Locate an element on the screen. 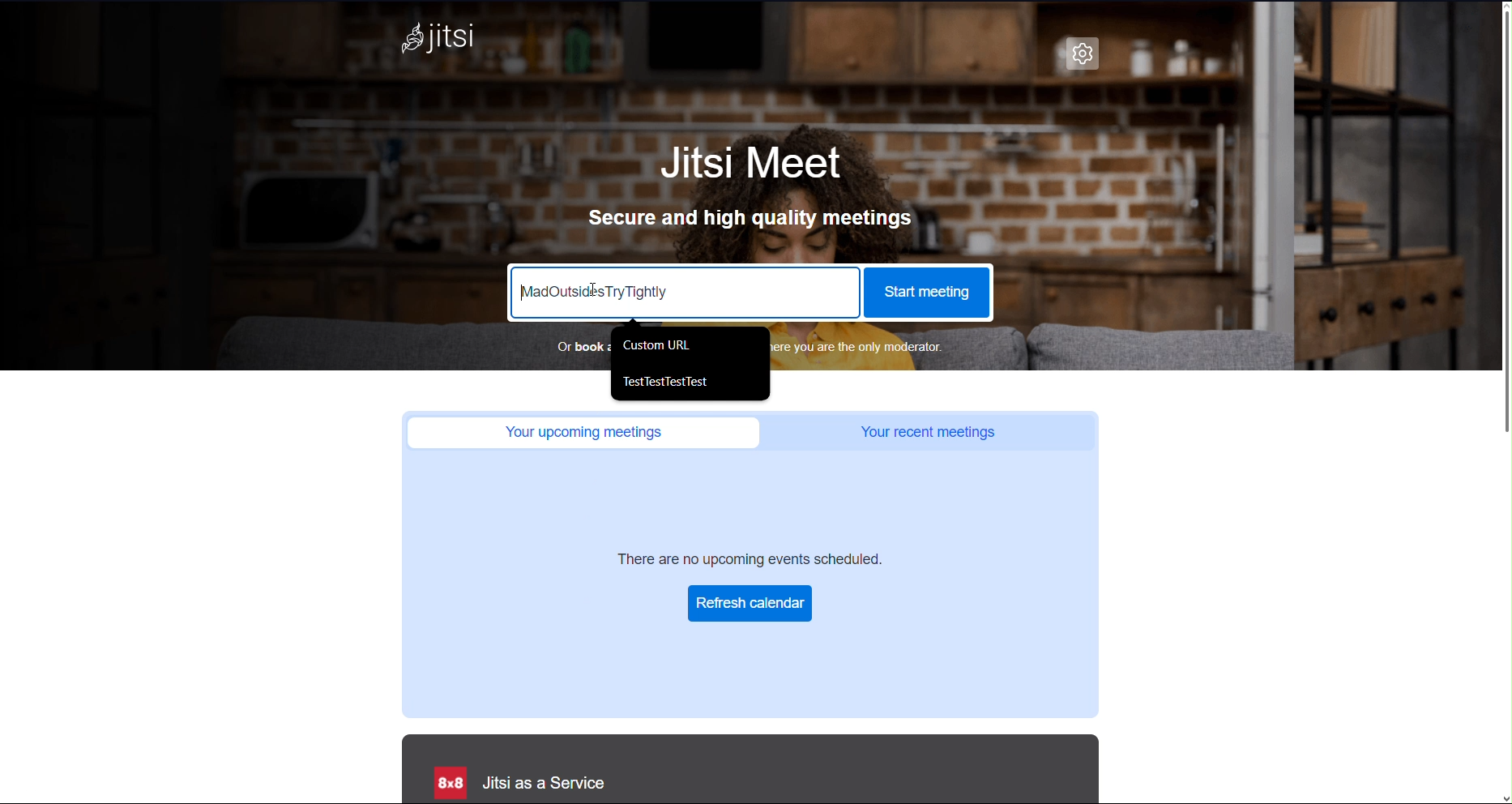 The image size is (1512, 804). Meeting URL is located at coordinates (685, 293).